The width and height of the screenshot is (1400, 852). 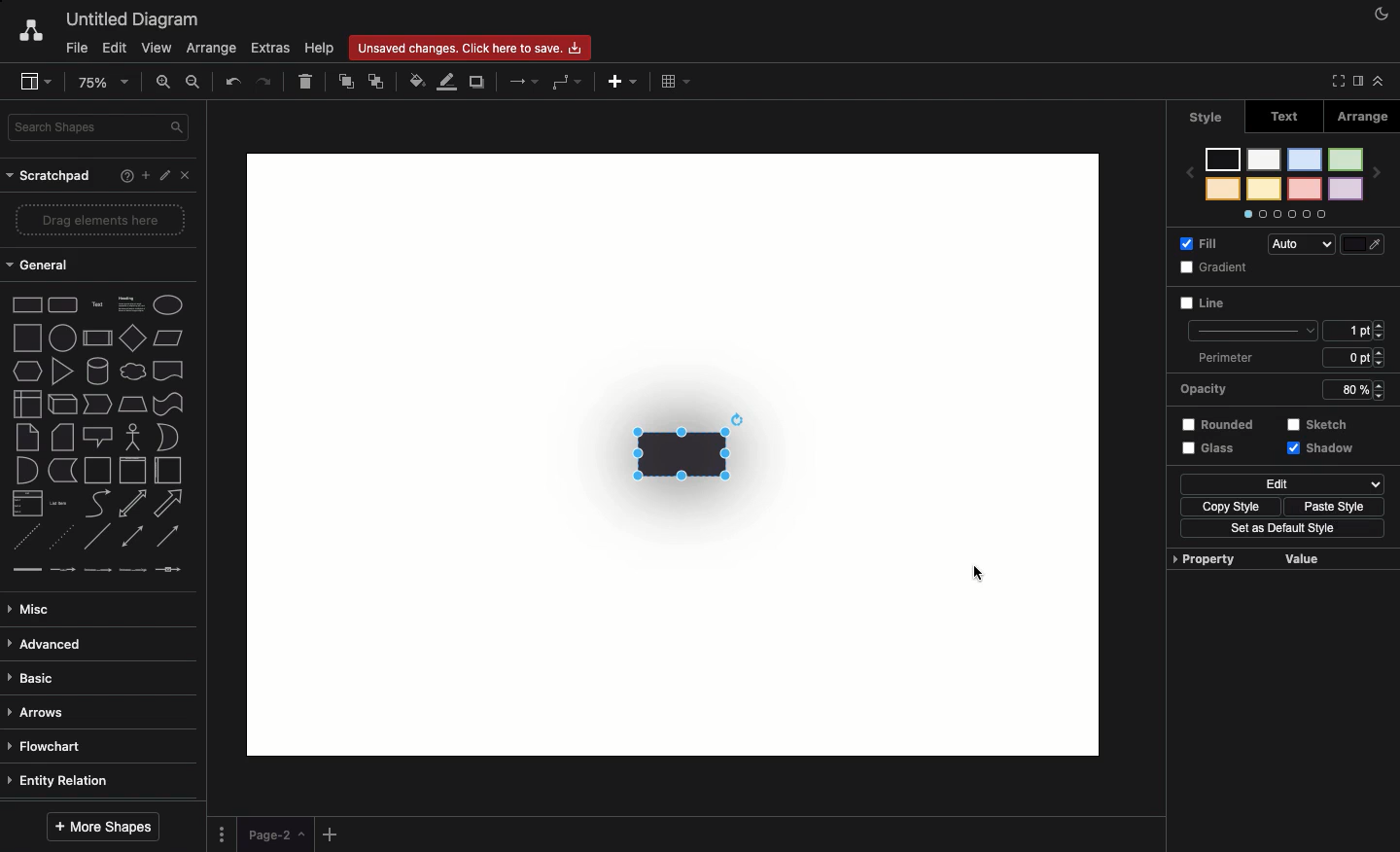 I want to click on Glass, so click(x=1209, y=448).